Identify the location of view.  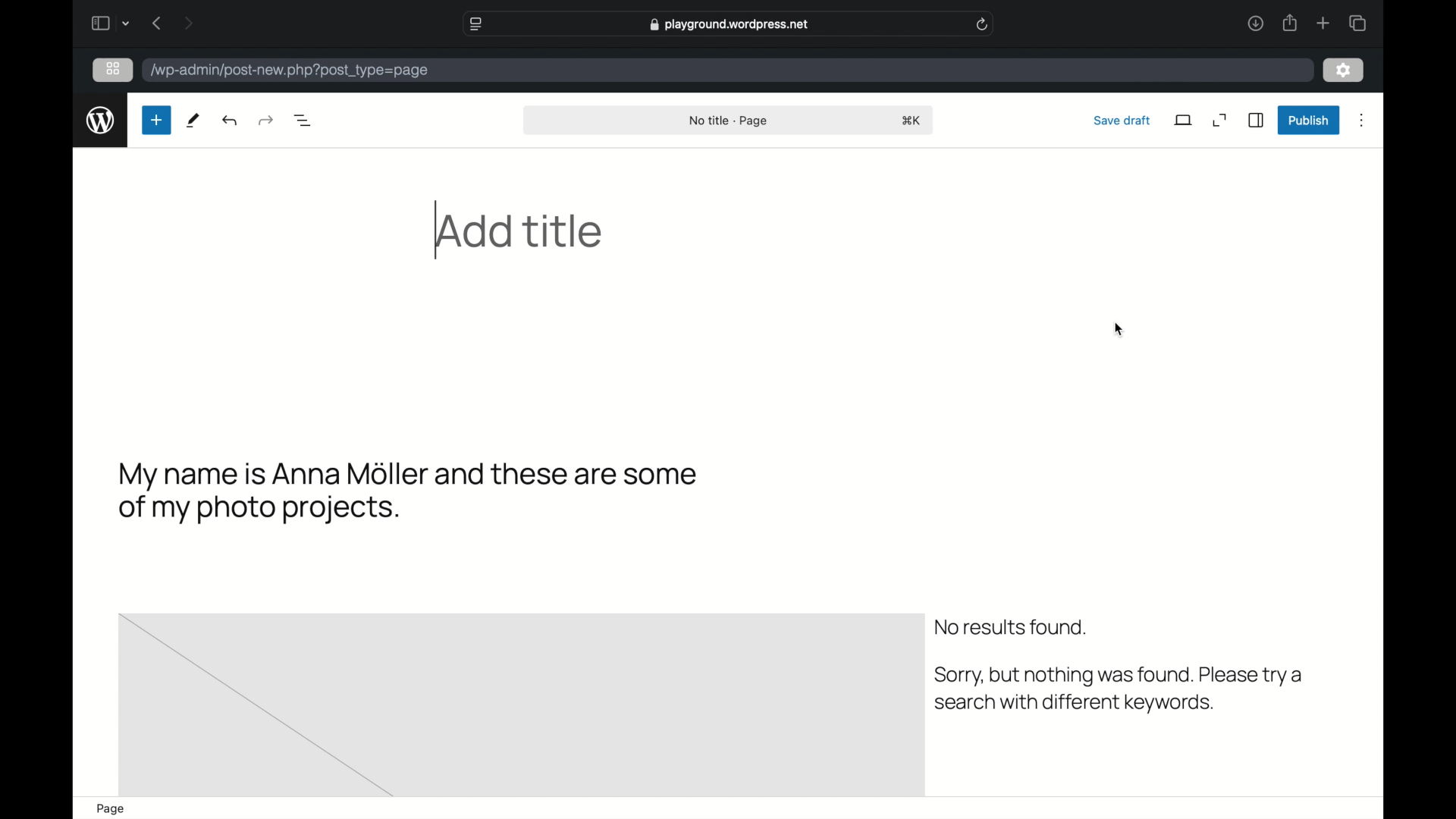
(1184, 120).